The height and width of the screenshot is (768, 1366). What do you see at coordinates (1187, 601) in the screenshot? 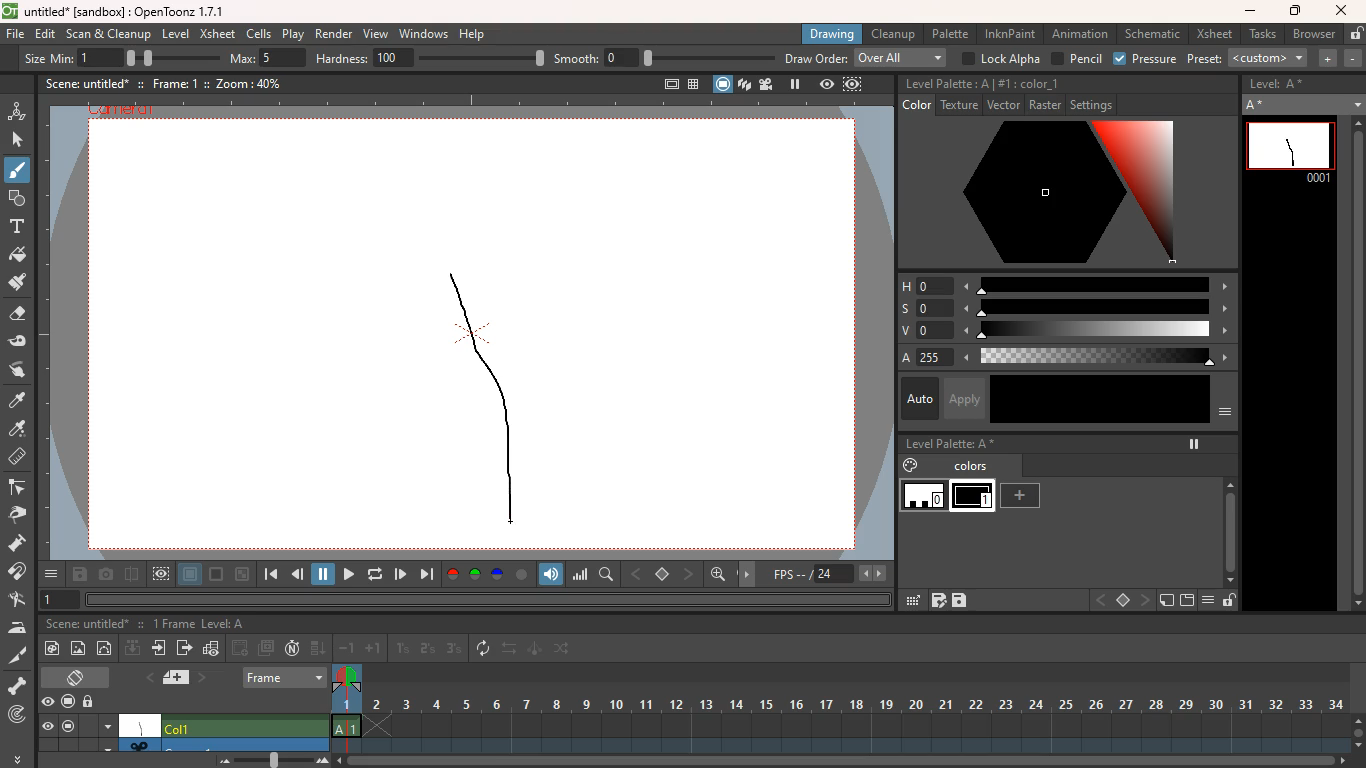
I see `screen` at bounding box center [1187, 601].